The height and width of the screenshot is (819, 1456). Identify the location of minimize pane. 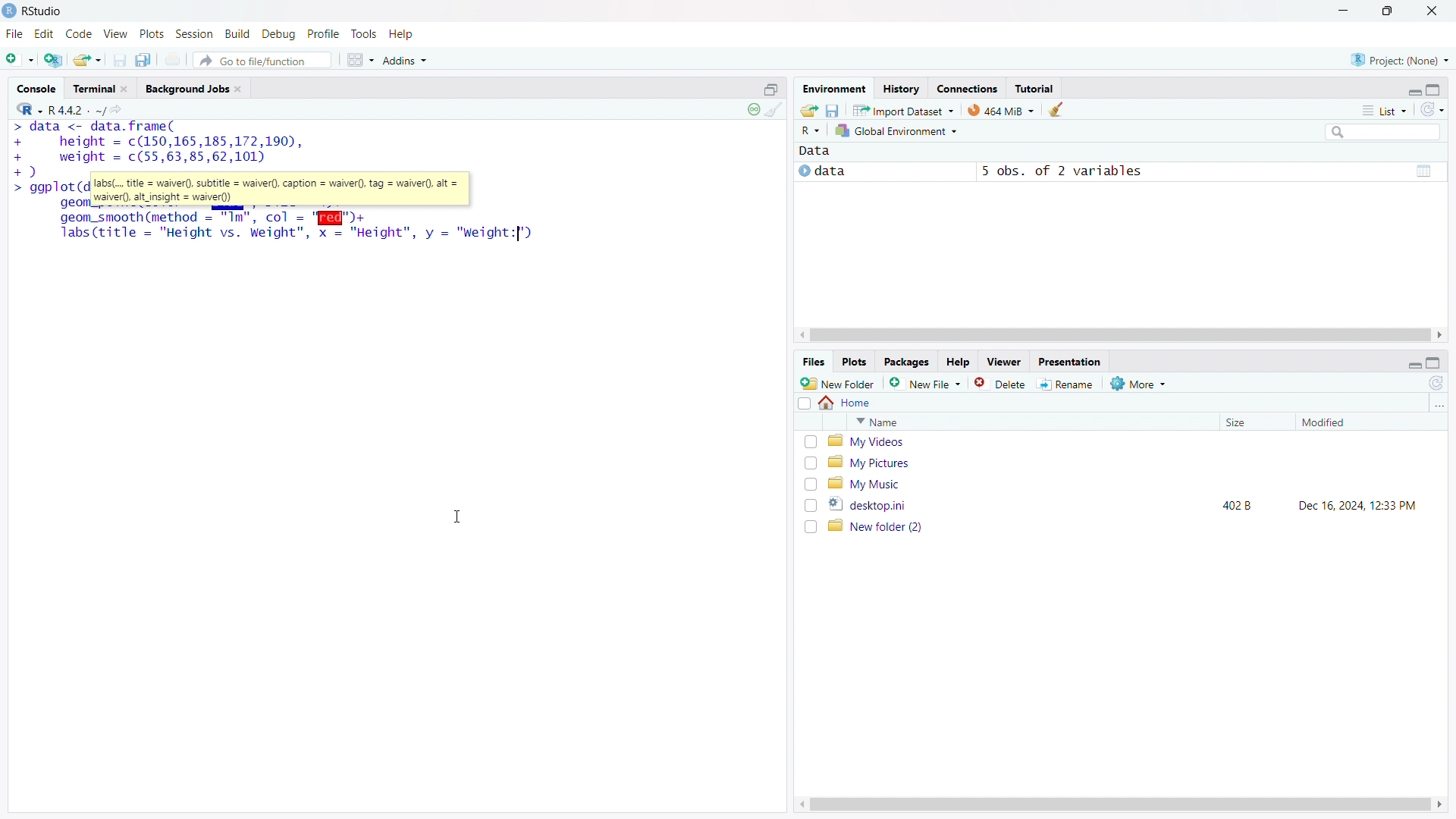
(1414, 362).